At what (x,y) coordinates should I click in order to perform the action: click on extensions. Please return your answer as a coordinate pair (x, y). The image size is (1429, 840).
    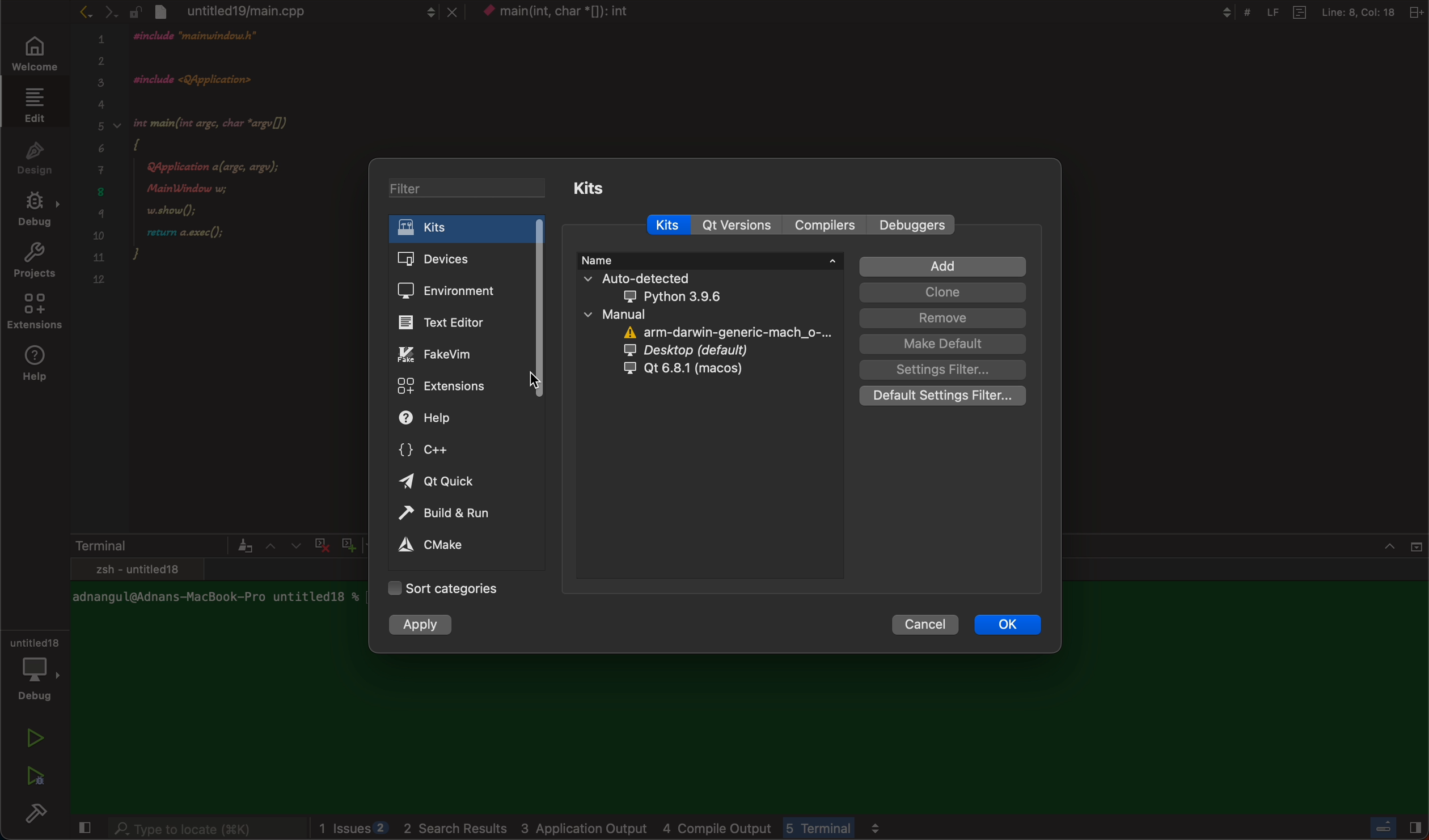
    Looking at the image, I should click on (456, 385).